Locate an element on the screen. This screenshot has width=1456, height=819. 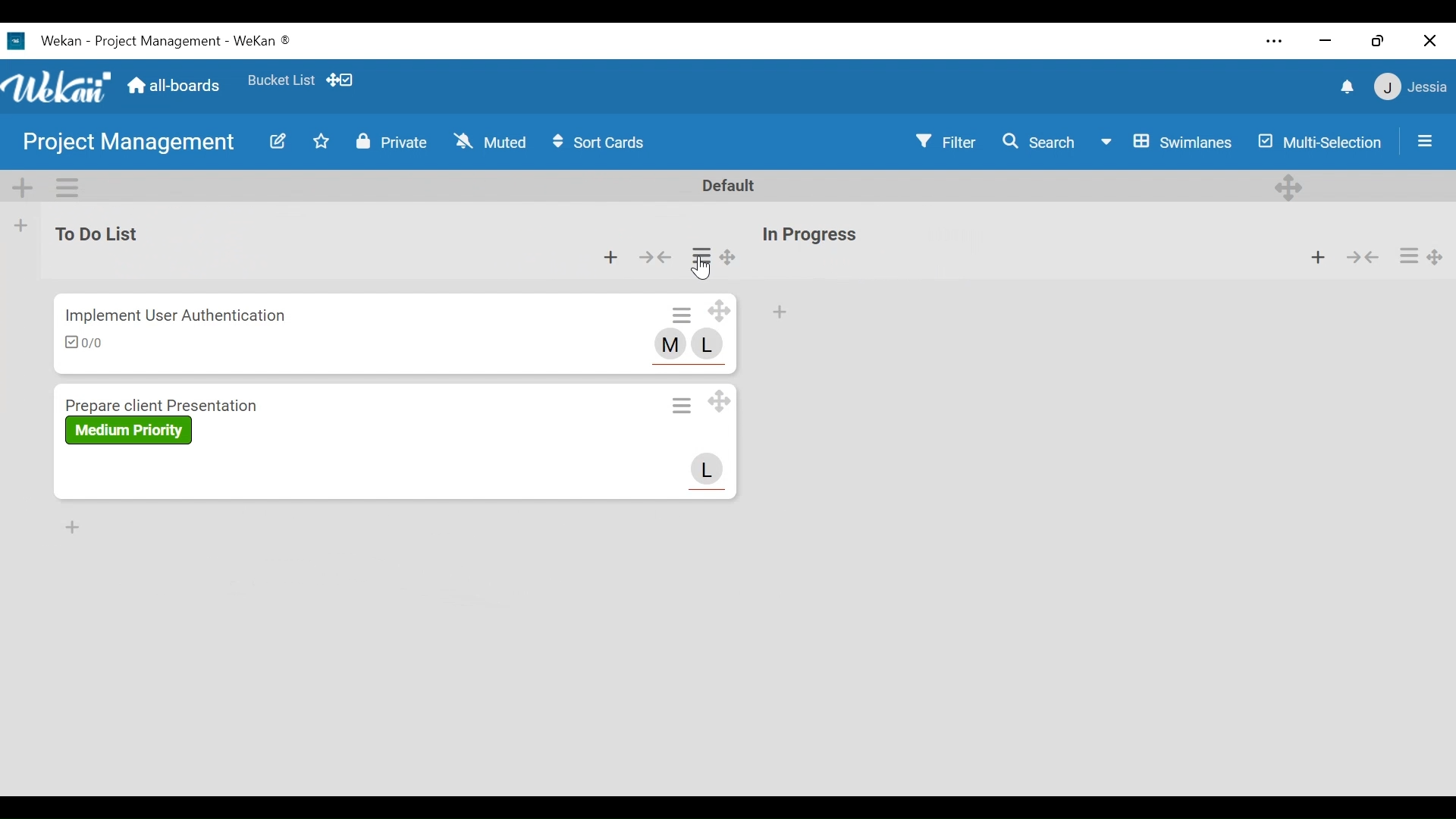
Open/close sidebar is located at coordinates (1425, 141).